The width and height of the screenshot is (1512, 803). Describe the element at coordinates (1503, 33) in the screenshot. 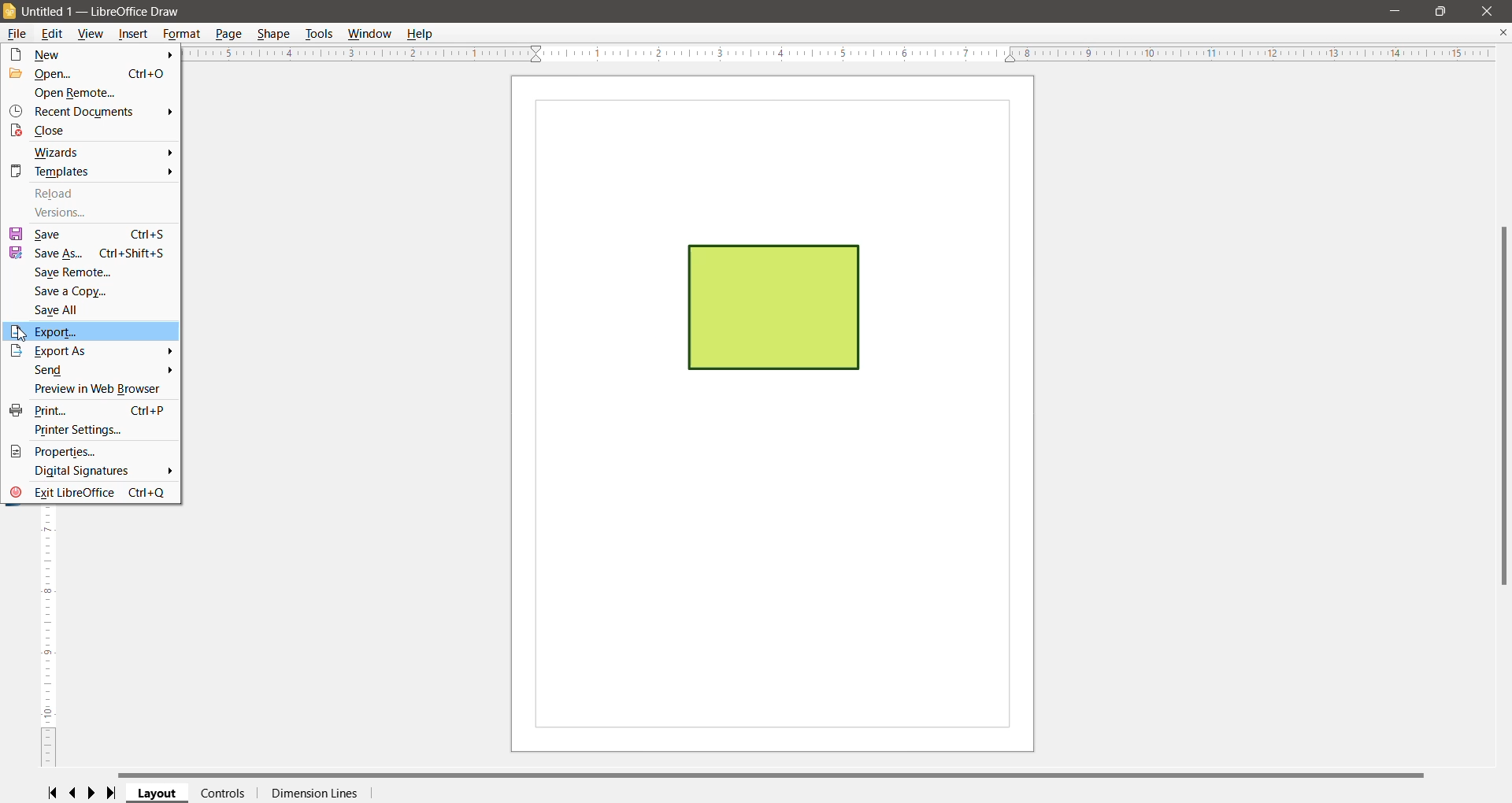

I see `Close Document` at that location.